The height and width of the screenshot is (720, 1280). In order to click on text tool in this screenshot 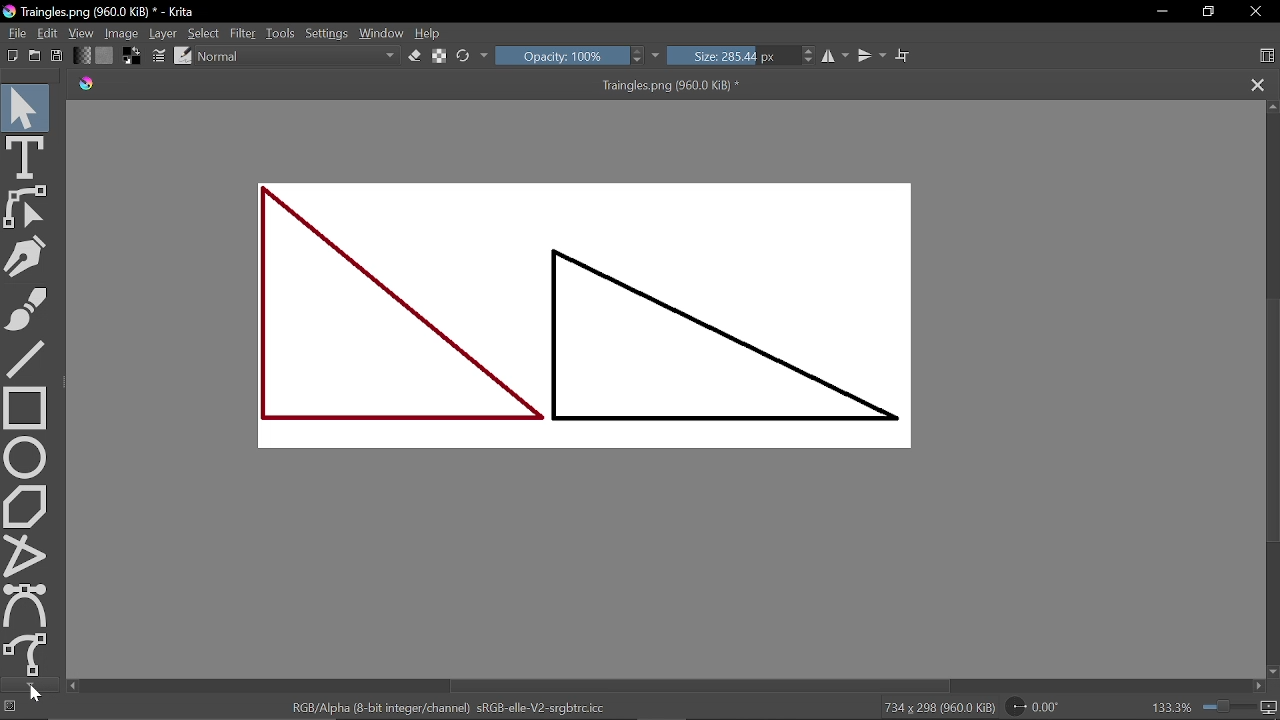, I will do `click(25, 157)`.